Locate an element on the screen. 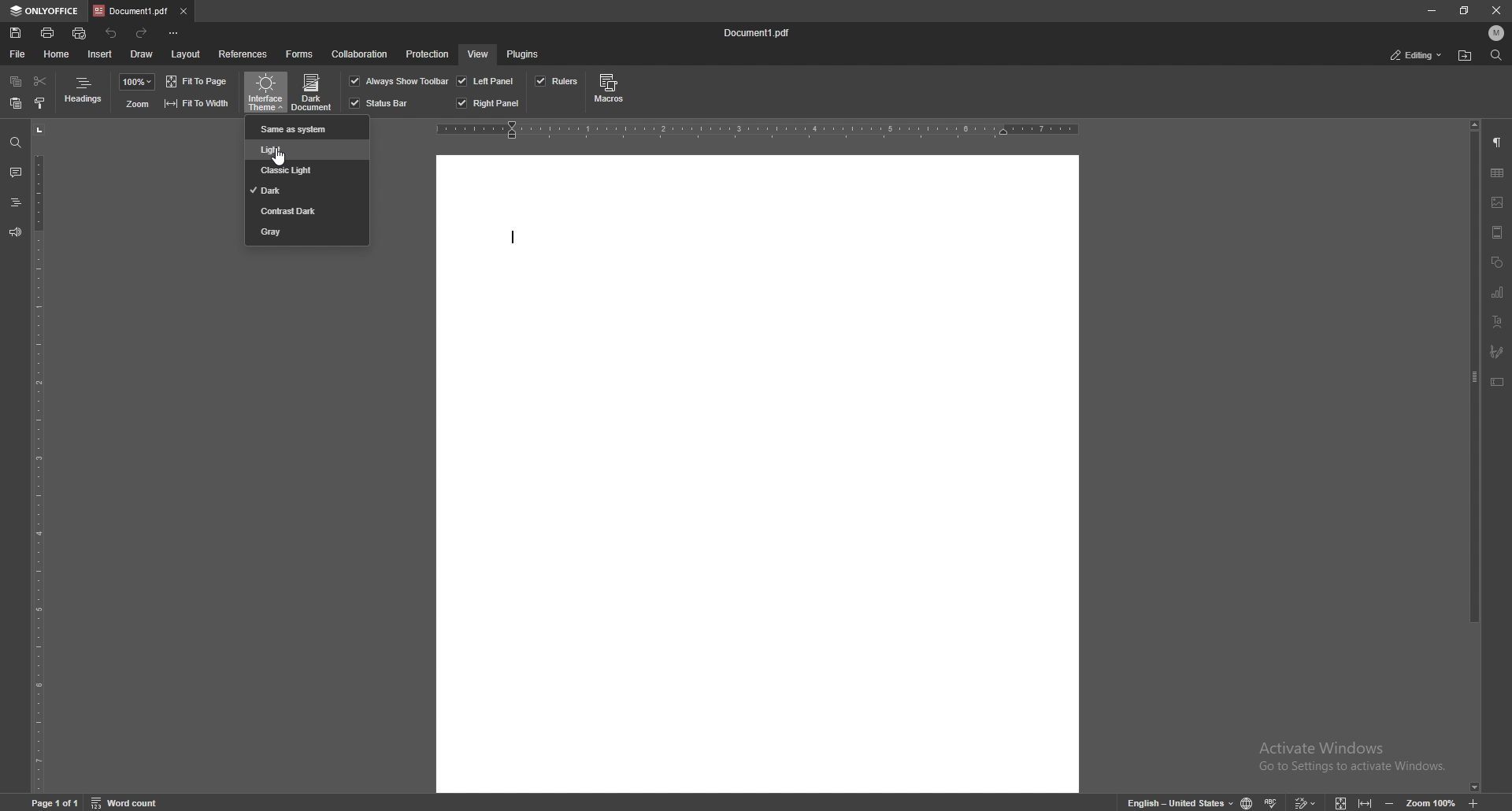 The height and width of the screenshot is (811, 1512). heading is located at coordinates (16, 202).